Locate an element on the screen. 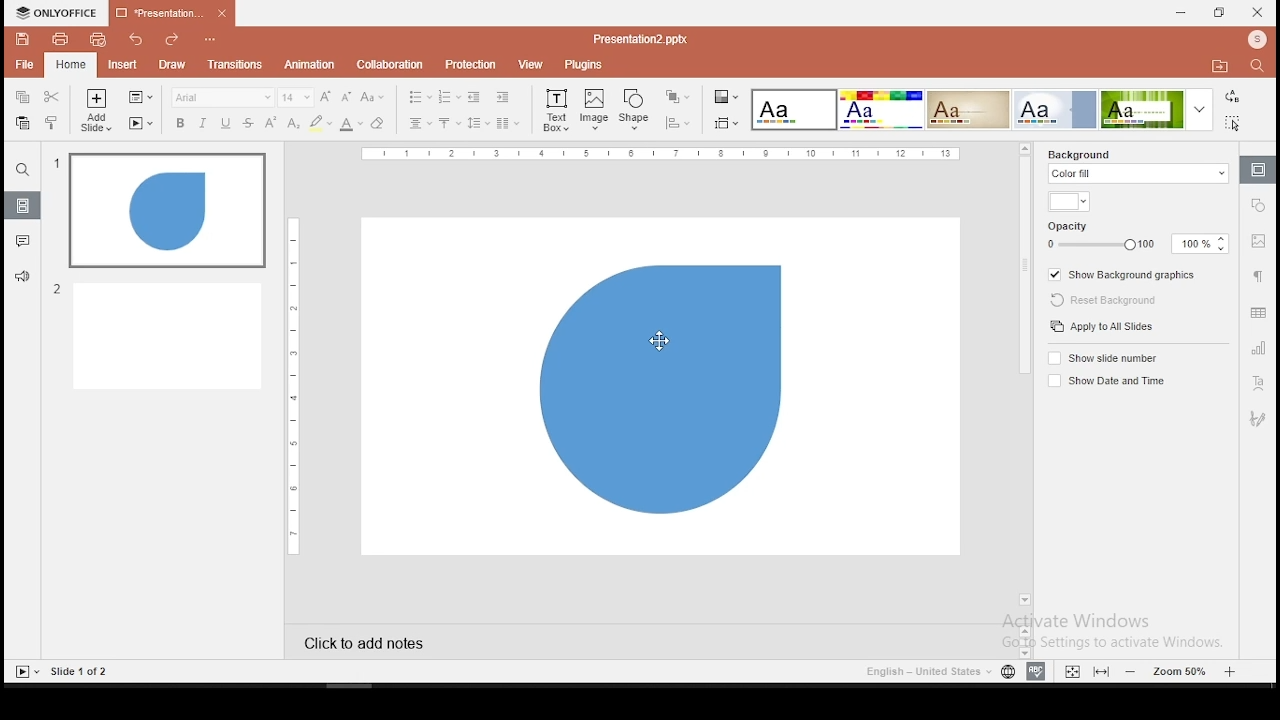 The image size is (1280, 720). protection is located at coordinates (469, 65).